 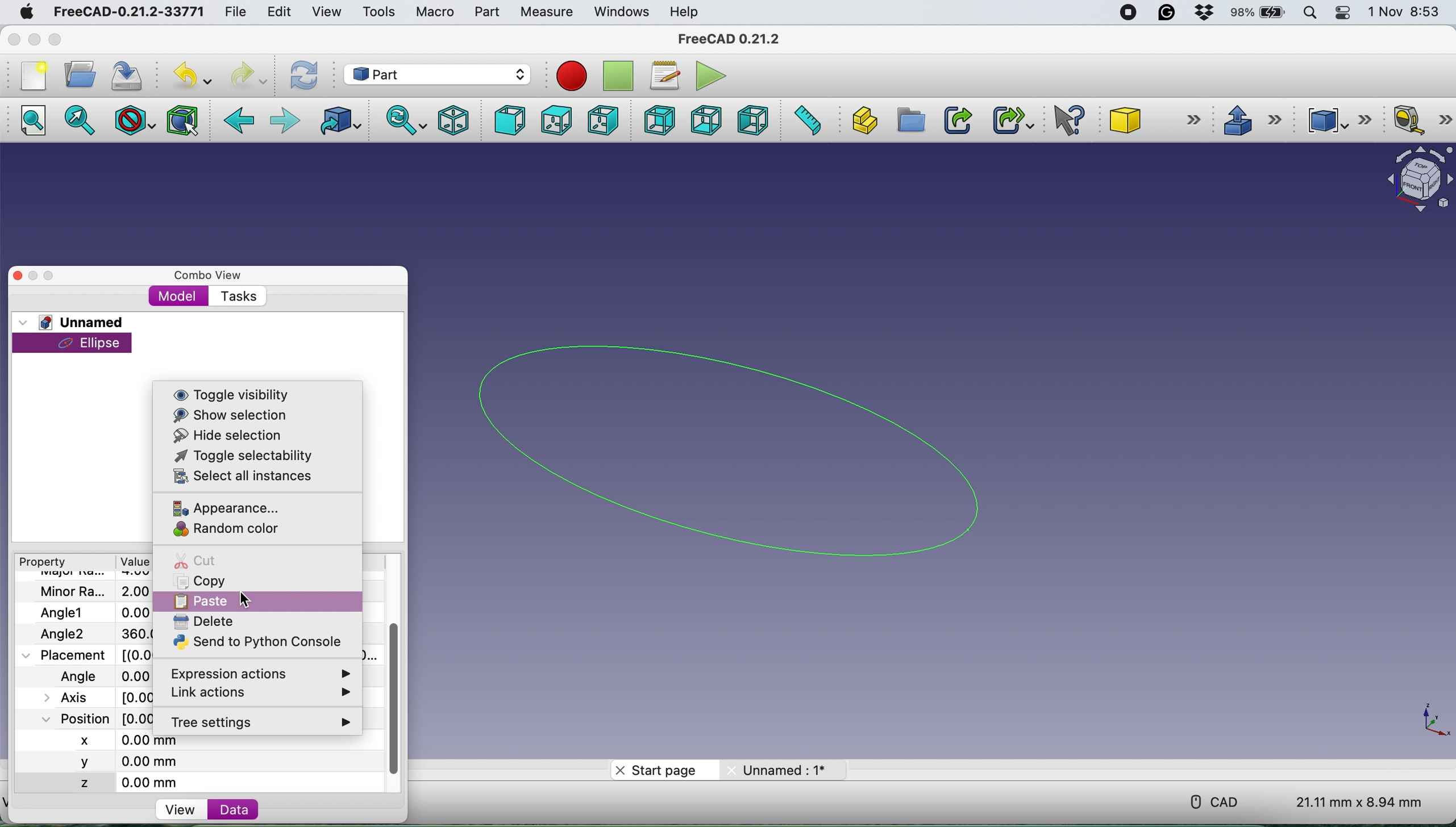 I want to click on part, so click(x=485, y=12).